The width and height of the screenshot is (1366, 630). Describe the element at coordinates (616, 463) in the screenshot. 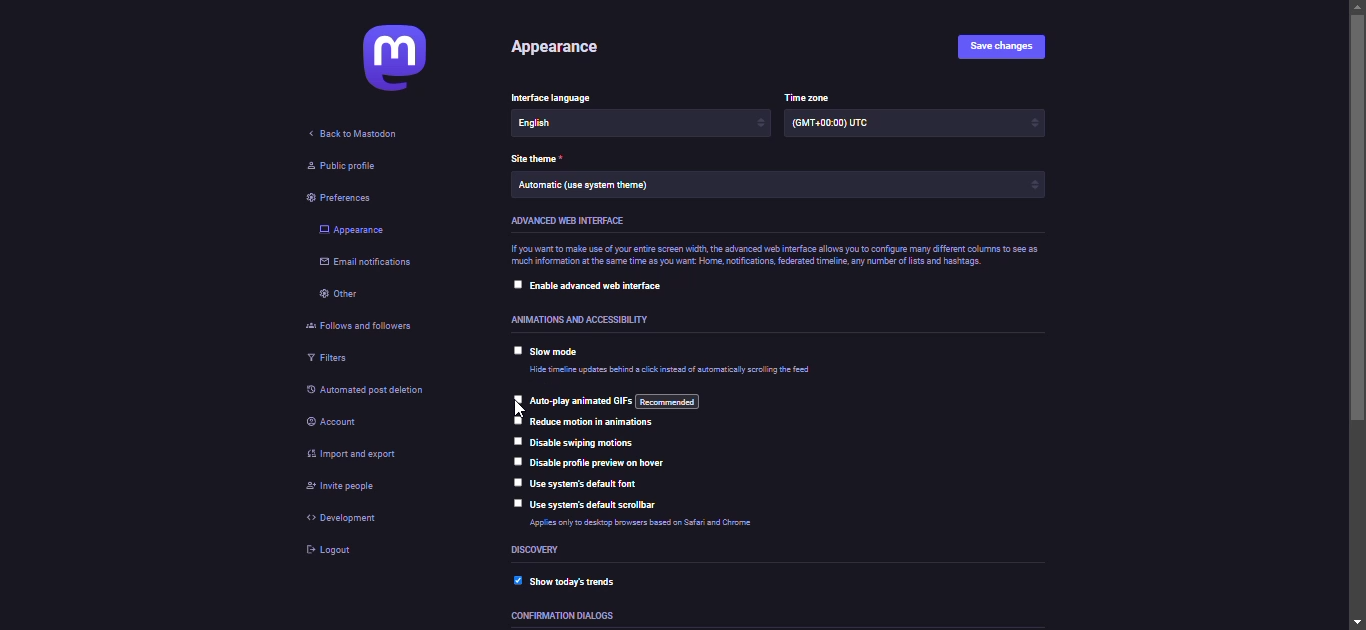

I see `disable profile preview on hover` at that location.